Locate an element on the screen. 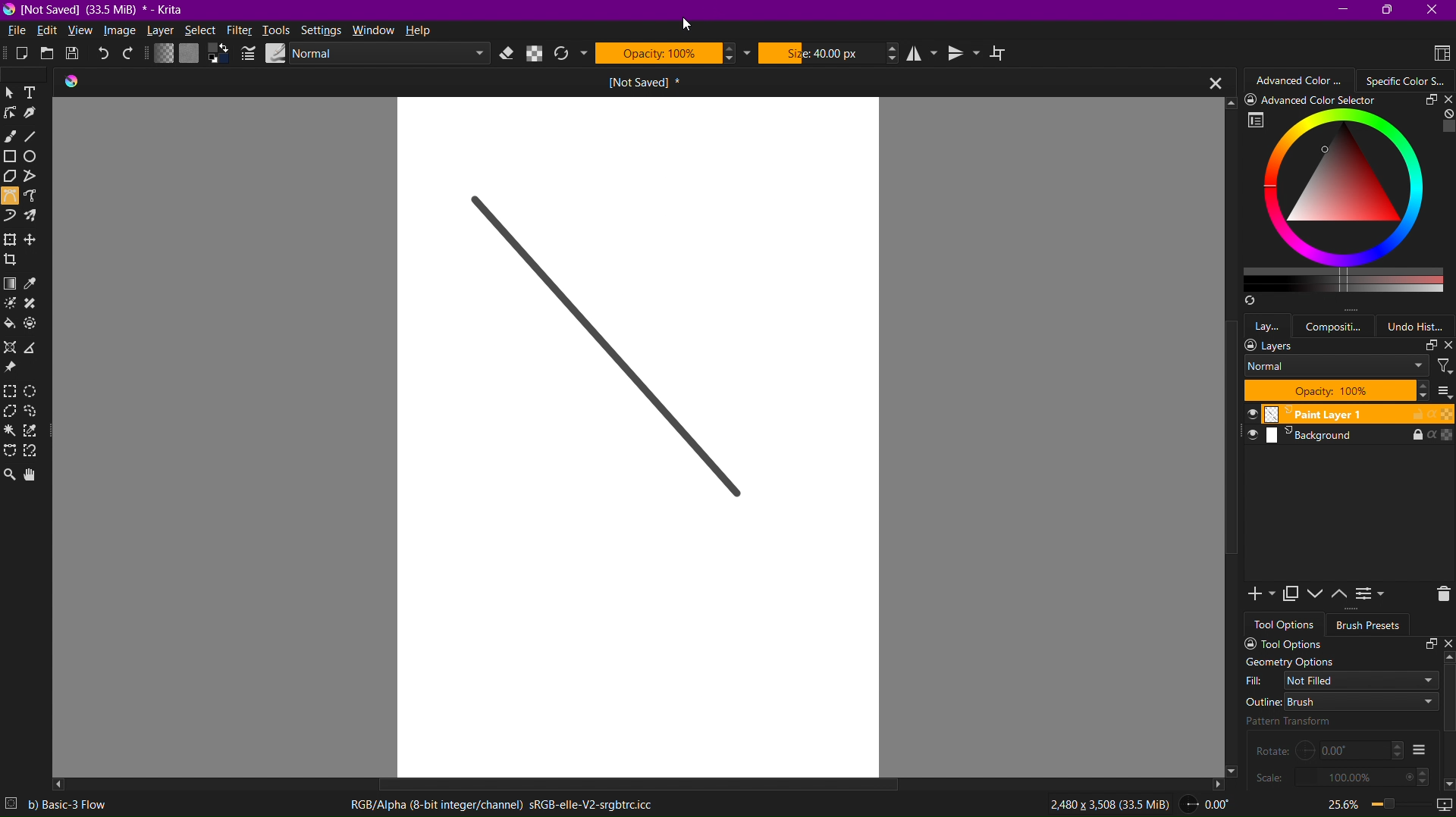 The height and width of the screenshot is (817, 1456). Layer Opacity is located at coordinates (1336, 390).